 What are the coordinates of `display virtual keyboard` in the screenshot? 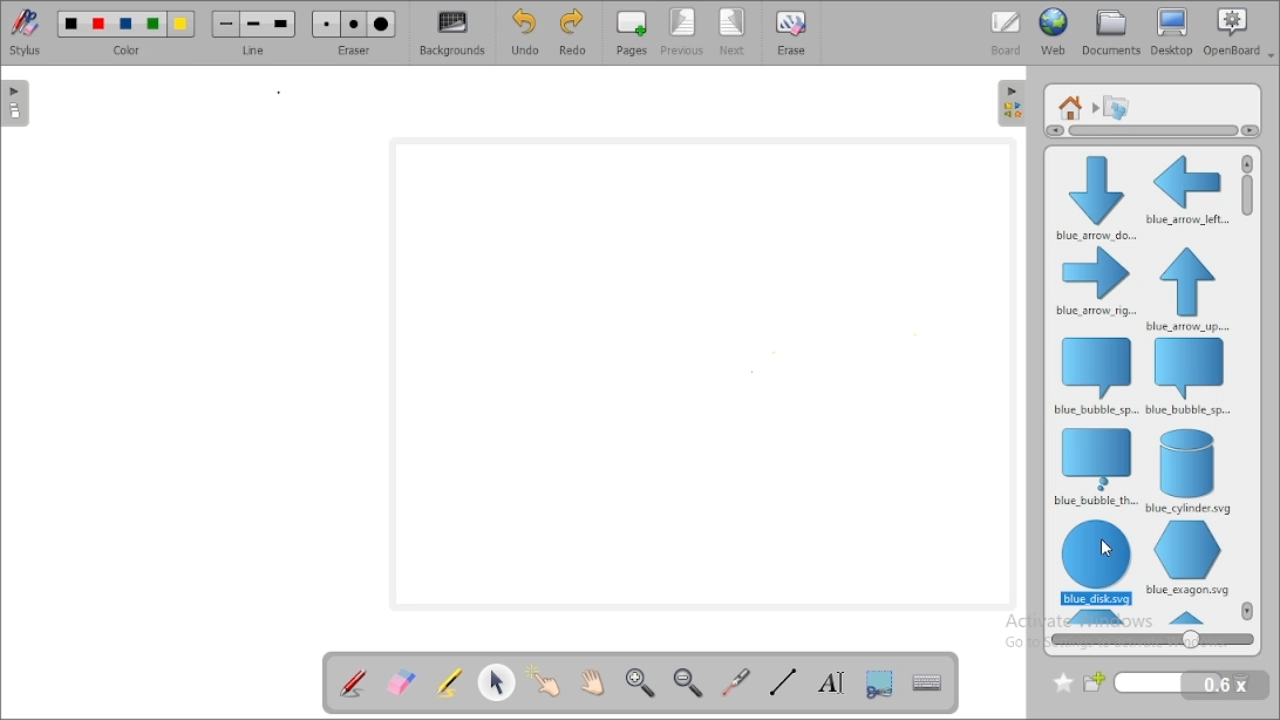 It's located at (928, 681).